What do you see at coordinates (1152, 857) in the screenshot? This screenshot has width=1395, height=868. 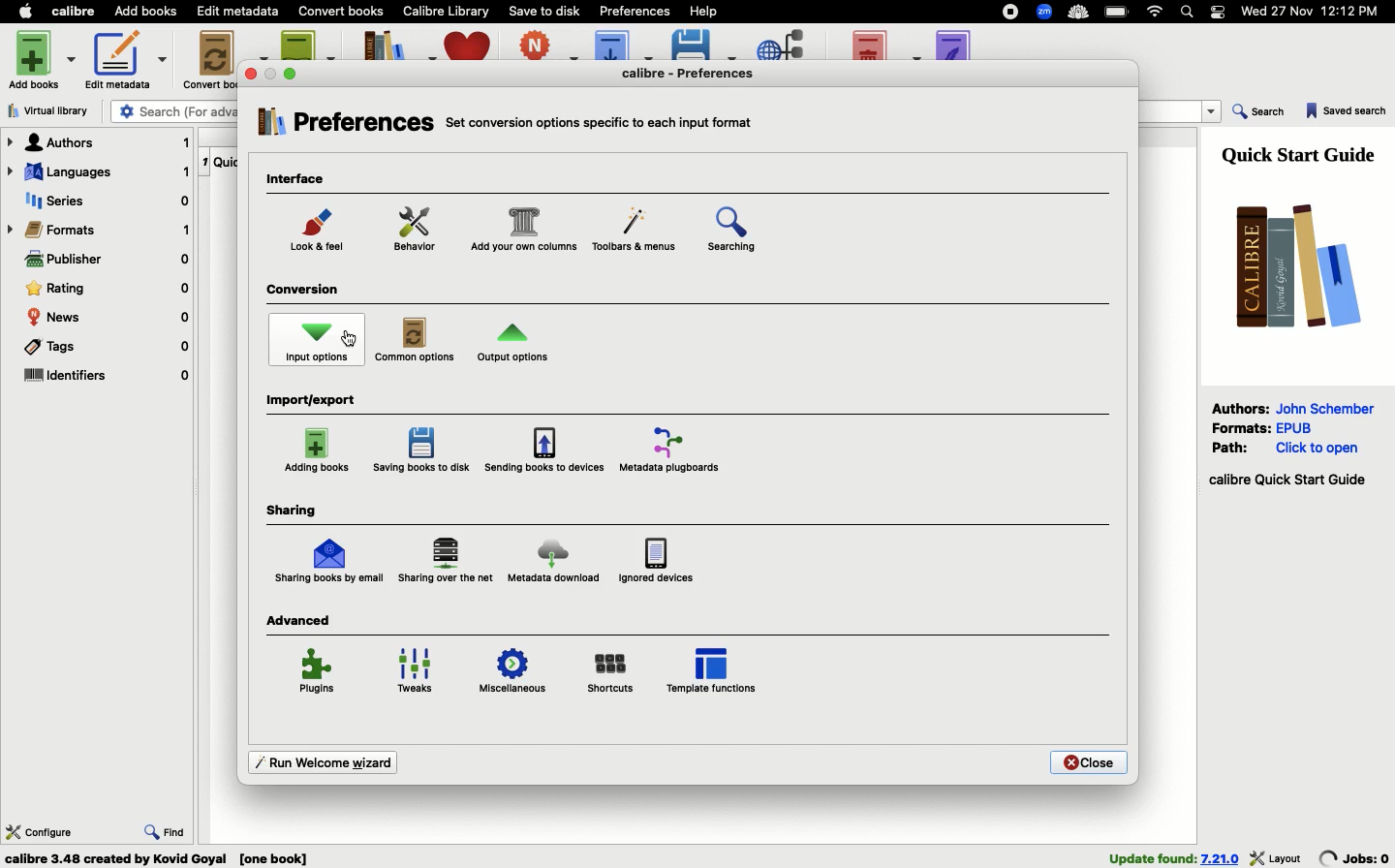 I see `found` at bounding box center [1152, 857].